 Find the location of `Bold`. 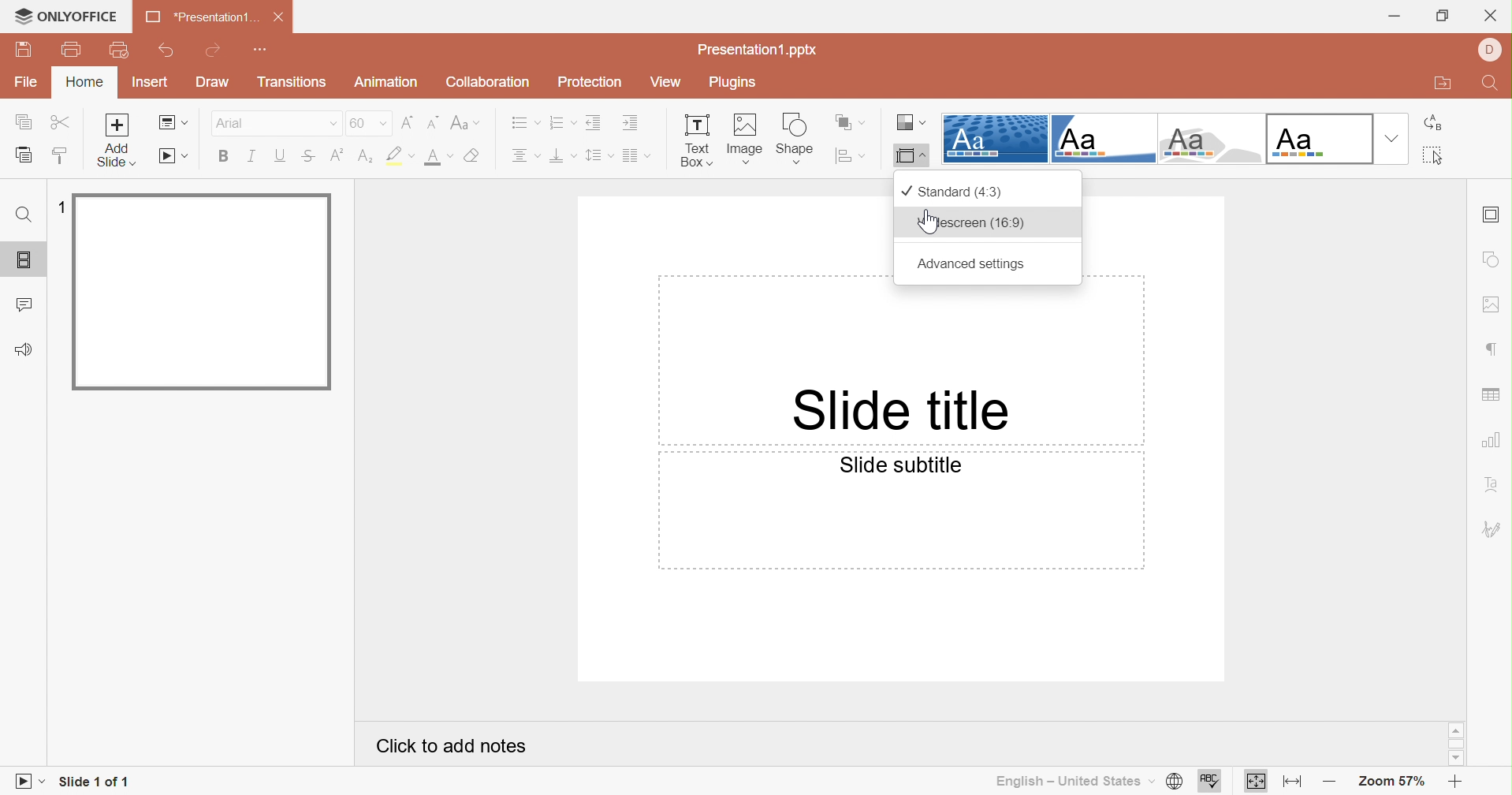

Bold is located at coordinates (224, 155).